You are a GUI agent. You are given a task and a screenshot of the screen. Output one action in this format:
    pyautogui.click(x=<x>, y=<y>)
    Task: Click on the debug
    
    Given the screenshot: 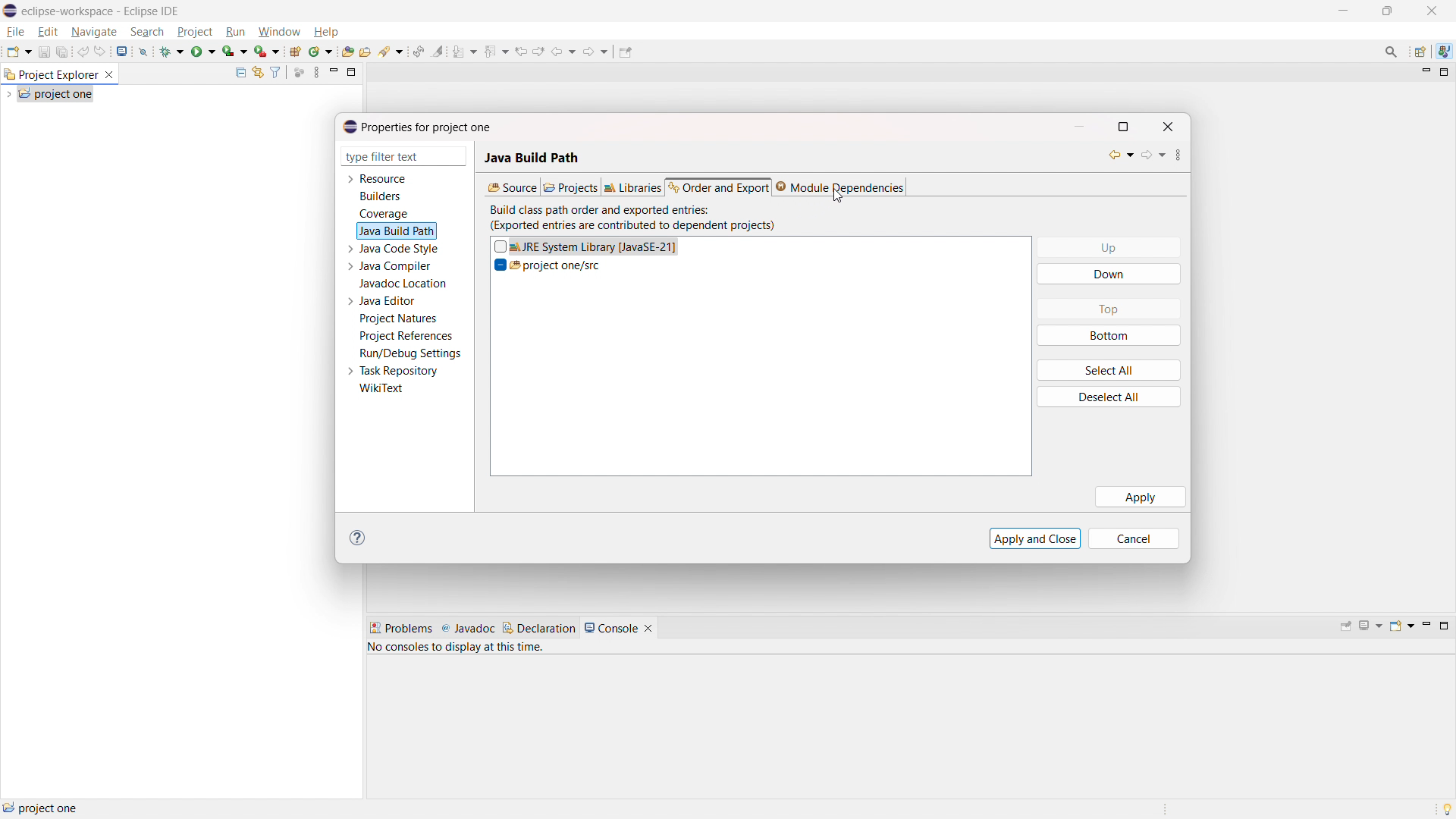 What is the action you would take?
    pyautogui.click(x=172, y=50)
    